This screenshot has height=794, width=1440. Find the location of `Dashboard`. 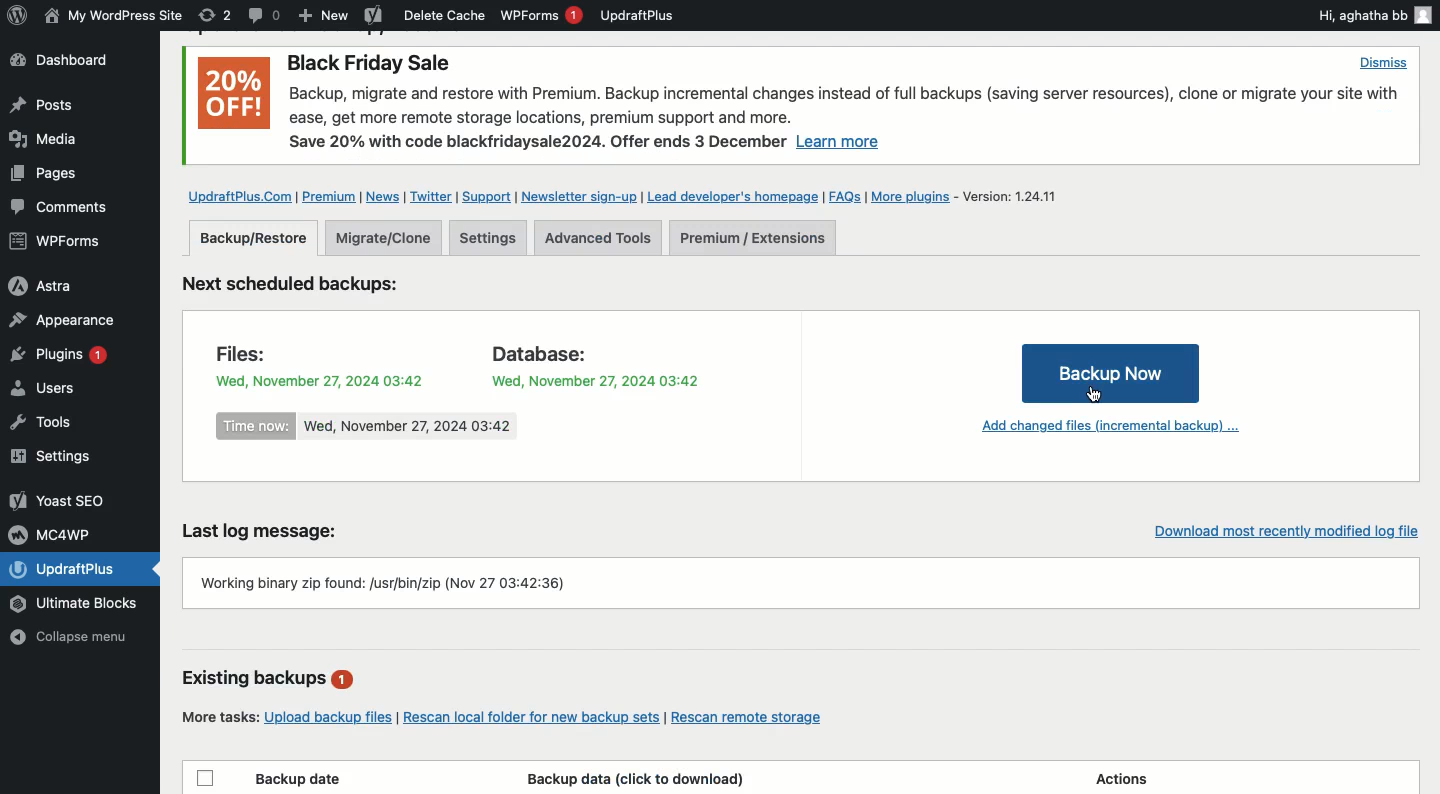

Dashboard is located at coordinates (72, 62).